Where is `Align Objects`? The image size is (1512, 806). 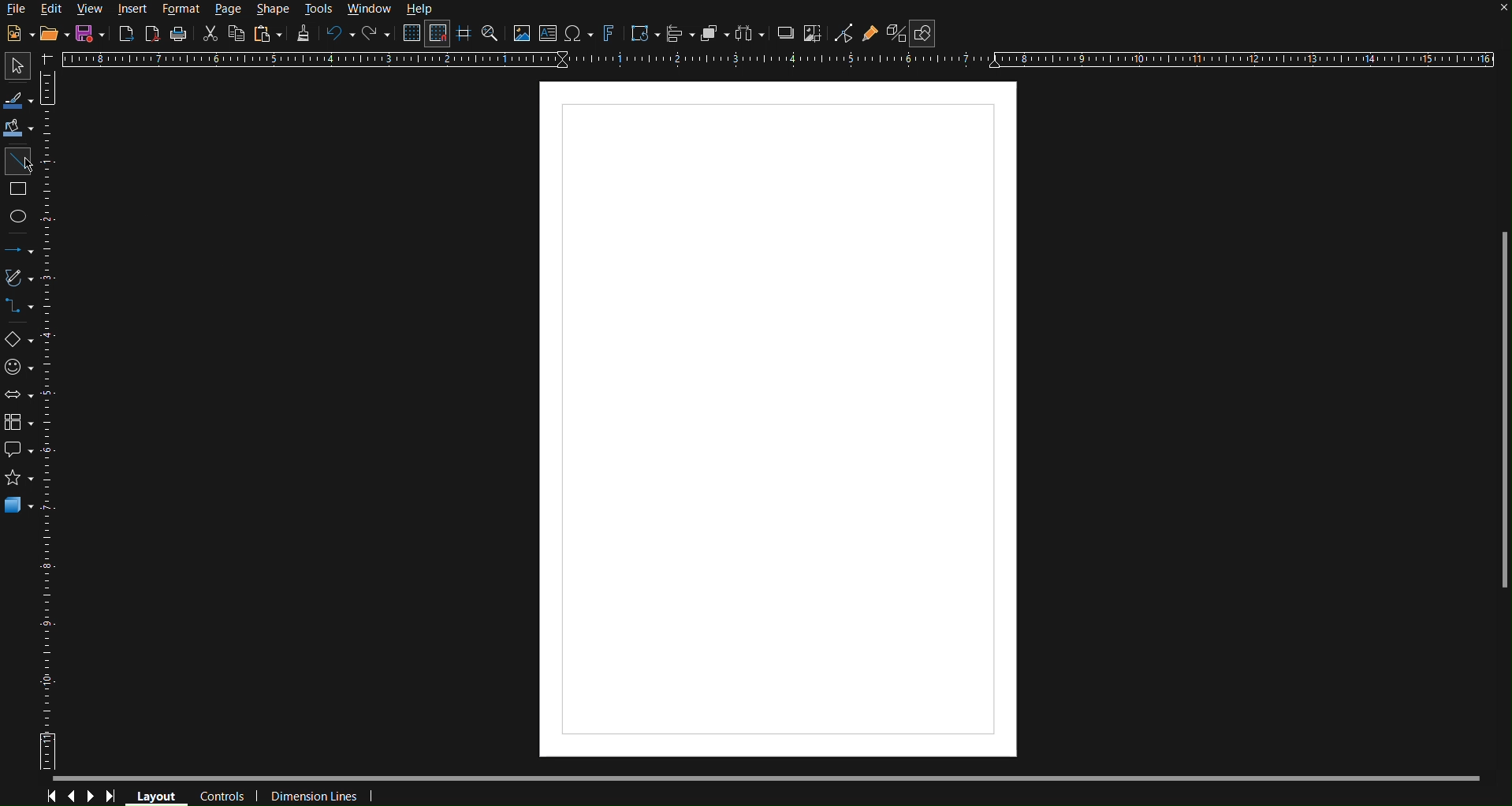 Align Objects is located at coordinates (680, 33).